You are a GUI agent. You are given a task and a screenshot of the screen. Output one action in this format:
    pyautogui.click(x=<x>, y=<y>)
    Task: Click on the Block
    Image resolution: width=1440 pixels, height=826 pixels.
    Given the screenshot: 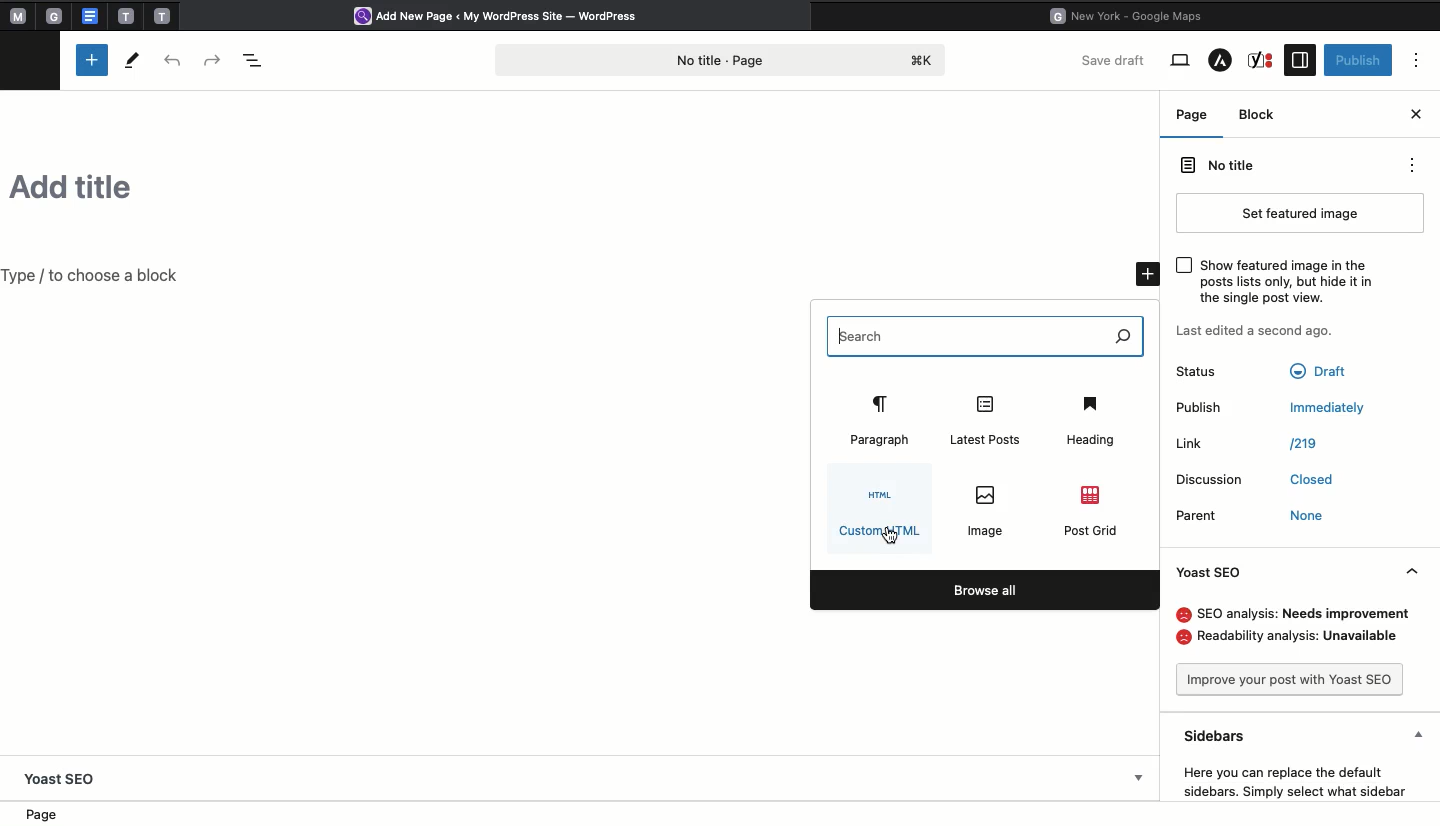 What is the action you would take?
    pyautogui.click(x=1263, y=118)
    